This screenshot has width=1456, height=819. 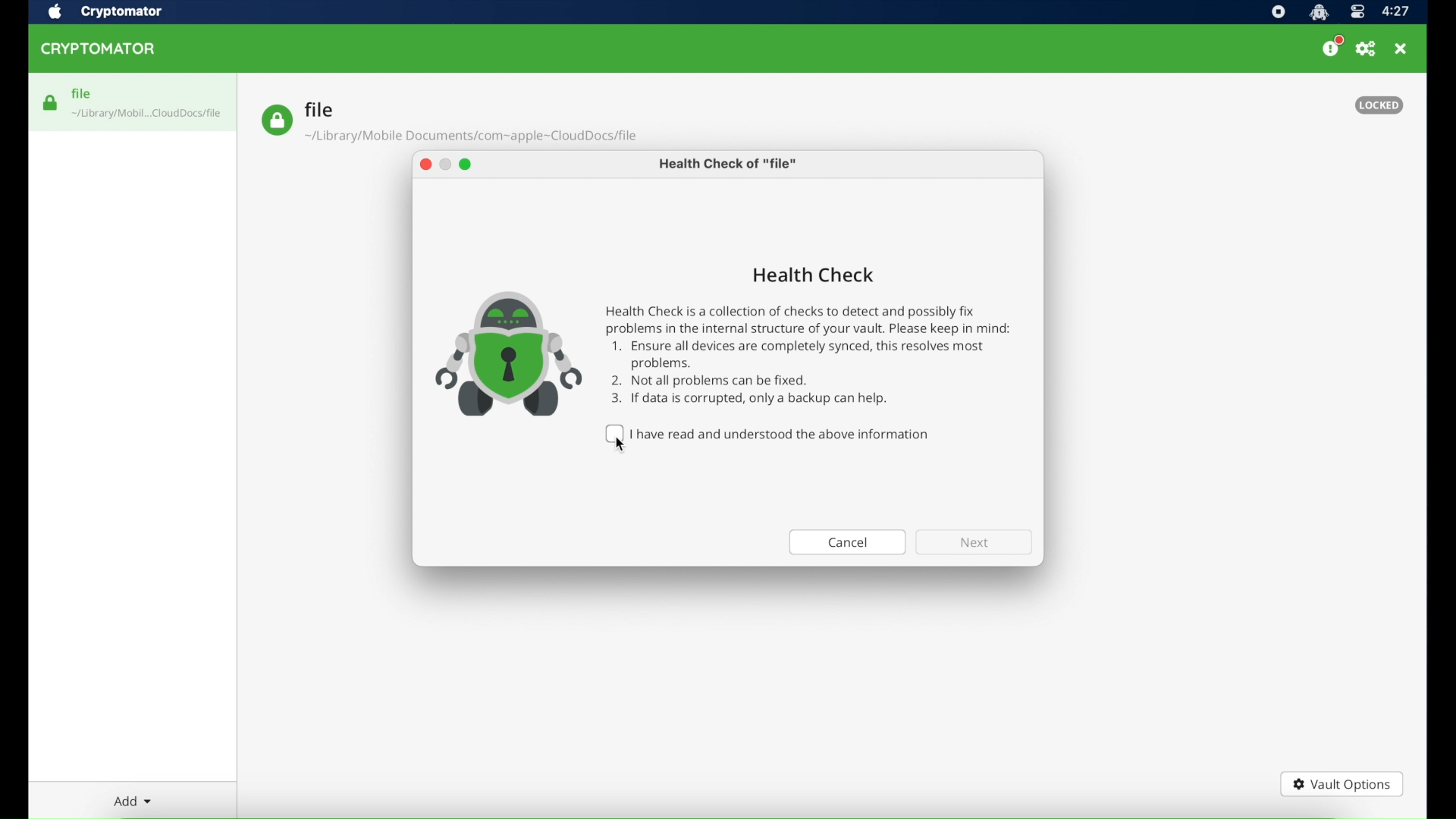 What do you see at coordinates (1367, 49) in the screenshot?
I see `preferences` at bounding box center [1367, 49].